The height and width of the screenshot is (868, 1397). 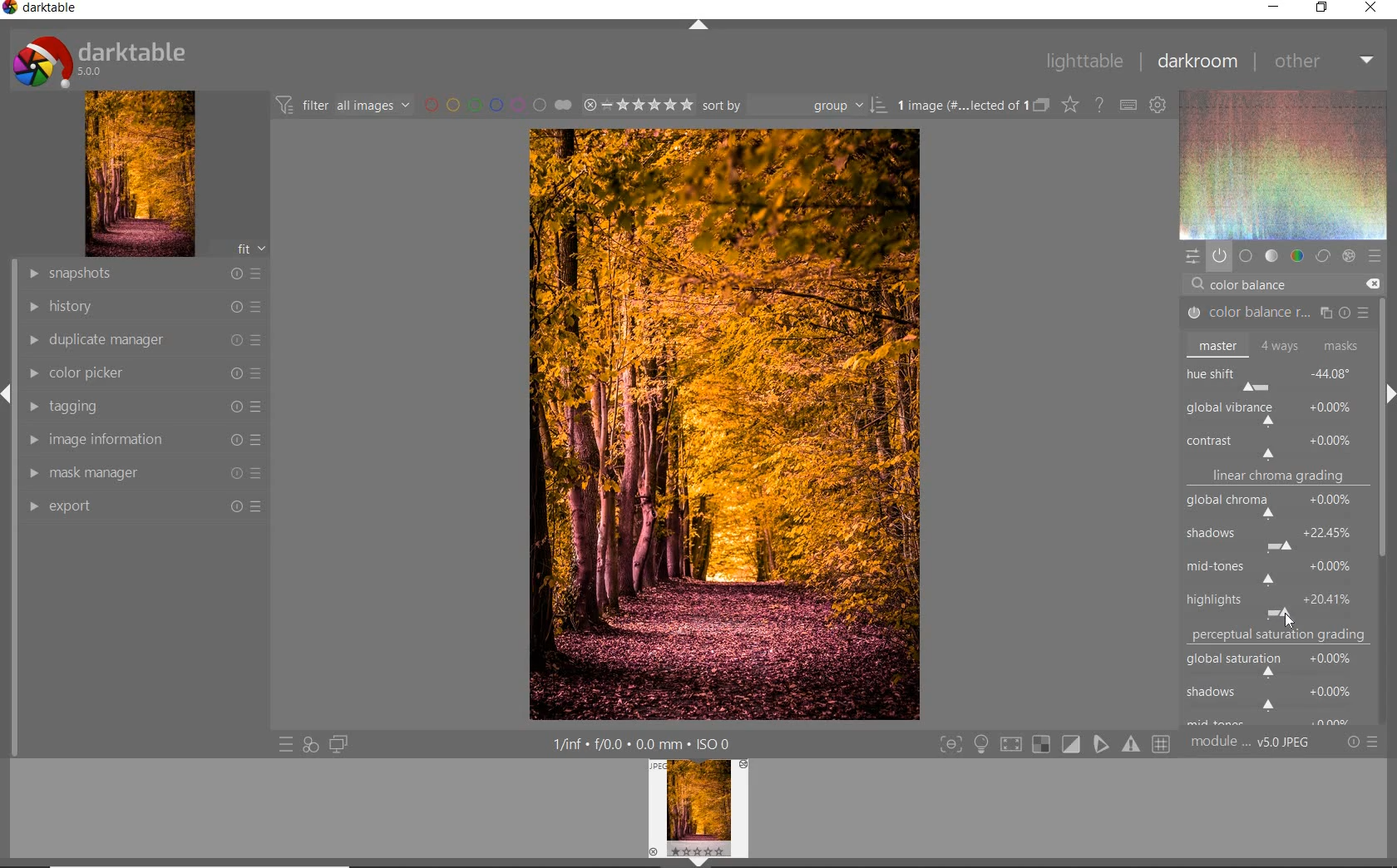 What do you see at coordinates (723, 426) in the screenshot?
I see ` a subtle split-tone effect for highlights and shadows added` at bounding box center [723, 426].